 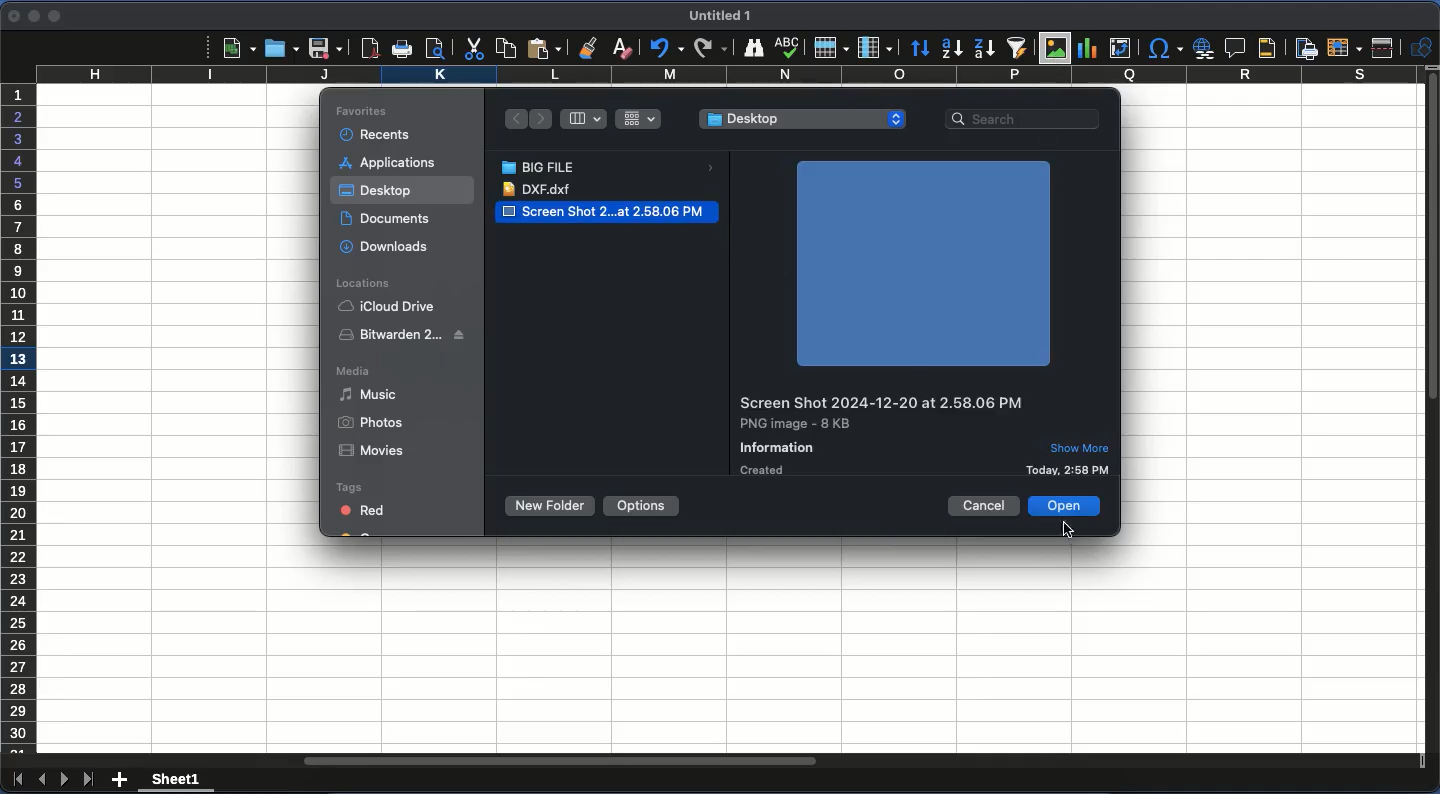 What do you see at coordinates (17, 783) in the screenshot?
I see `first sheet` at bounding box center [17, 783].